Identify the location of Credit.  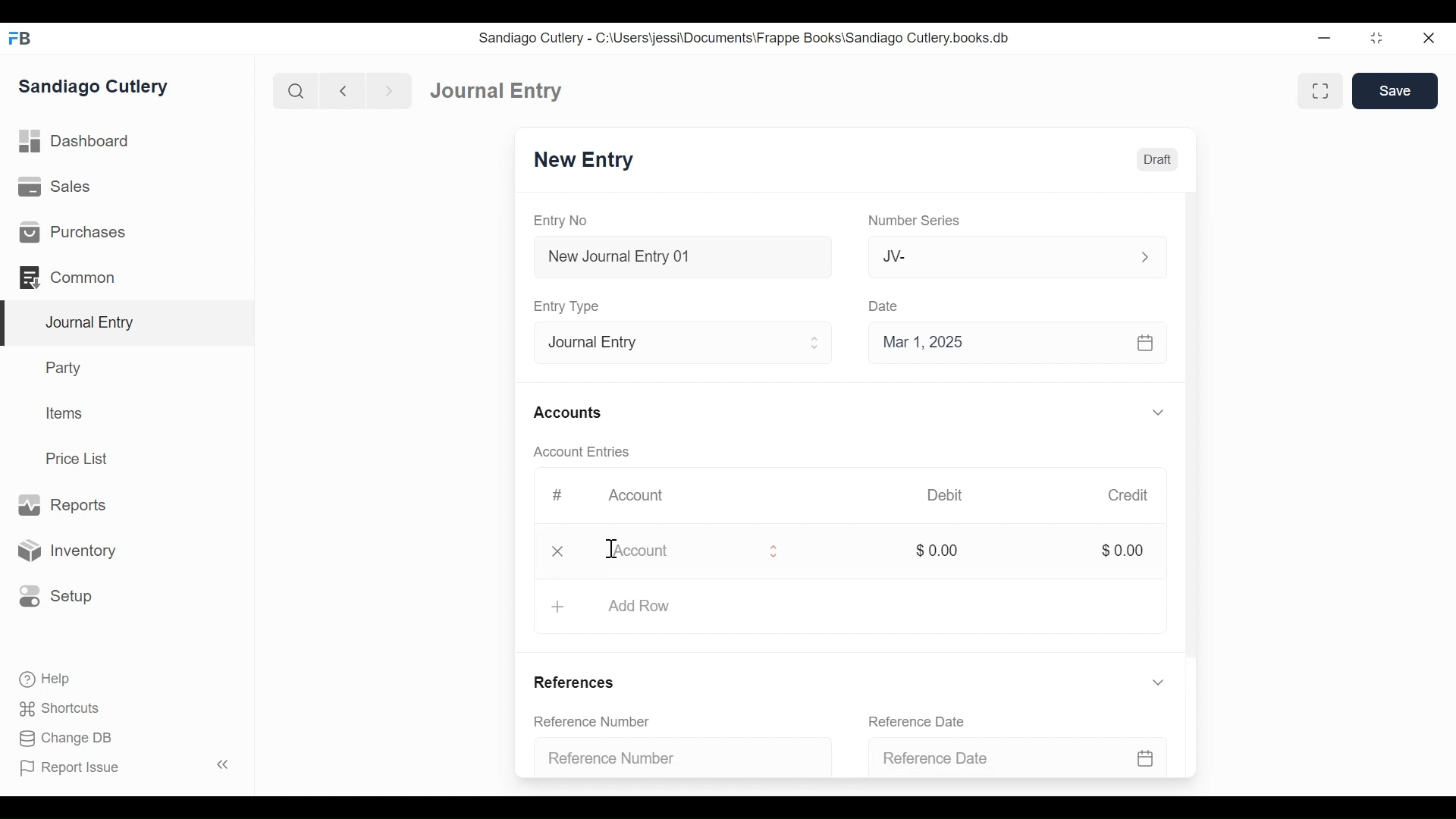
(1128, 495).